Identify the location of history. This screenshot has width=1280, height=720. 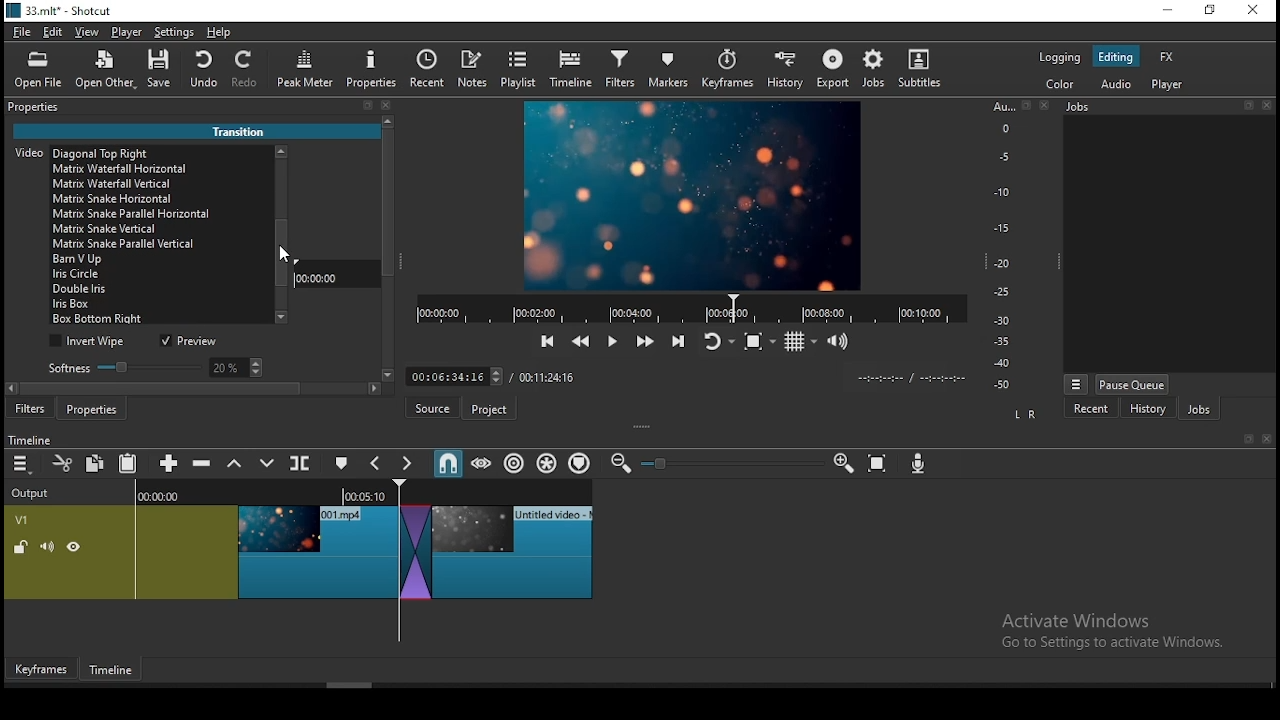
(1146, 409).